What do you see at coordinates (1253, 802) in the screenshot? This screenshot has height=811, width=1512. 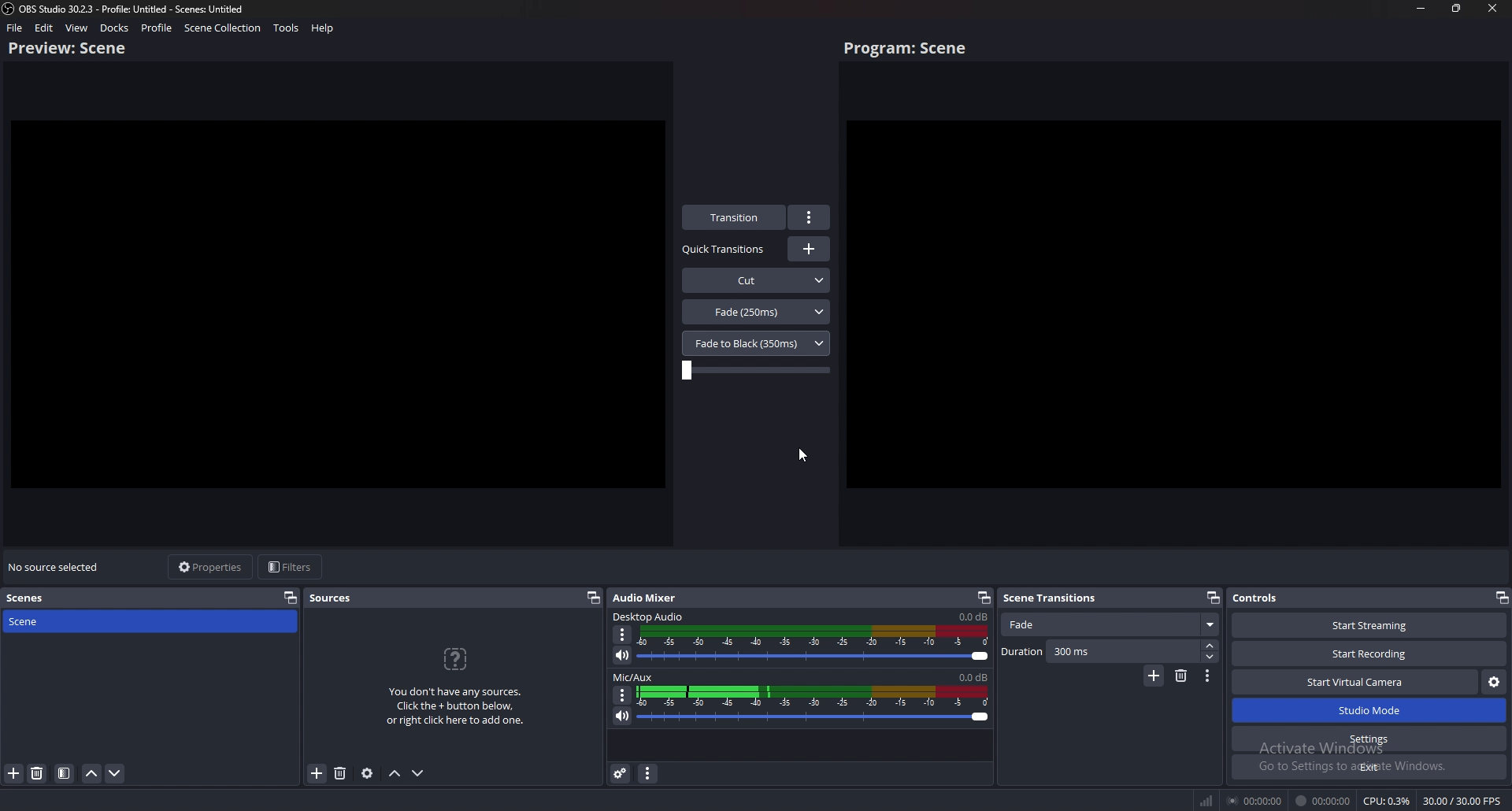 I see `00:00:00` at bounding box center [1253, 802].